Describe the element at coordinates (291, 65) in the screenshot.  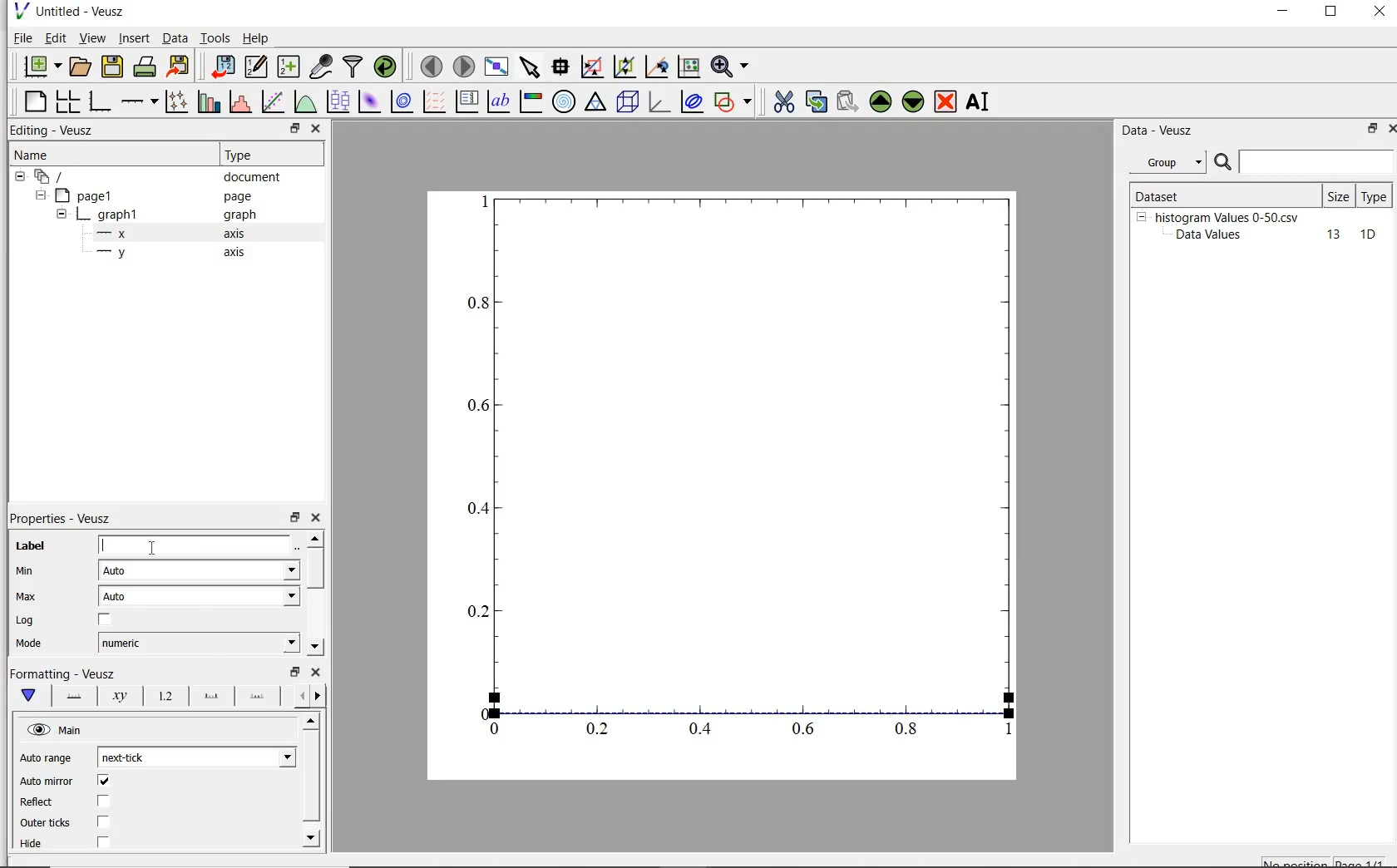
I see `create new datasets using ranges, parametrically or as functions of existing datasets` at that location.